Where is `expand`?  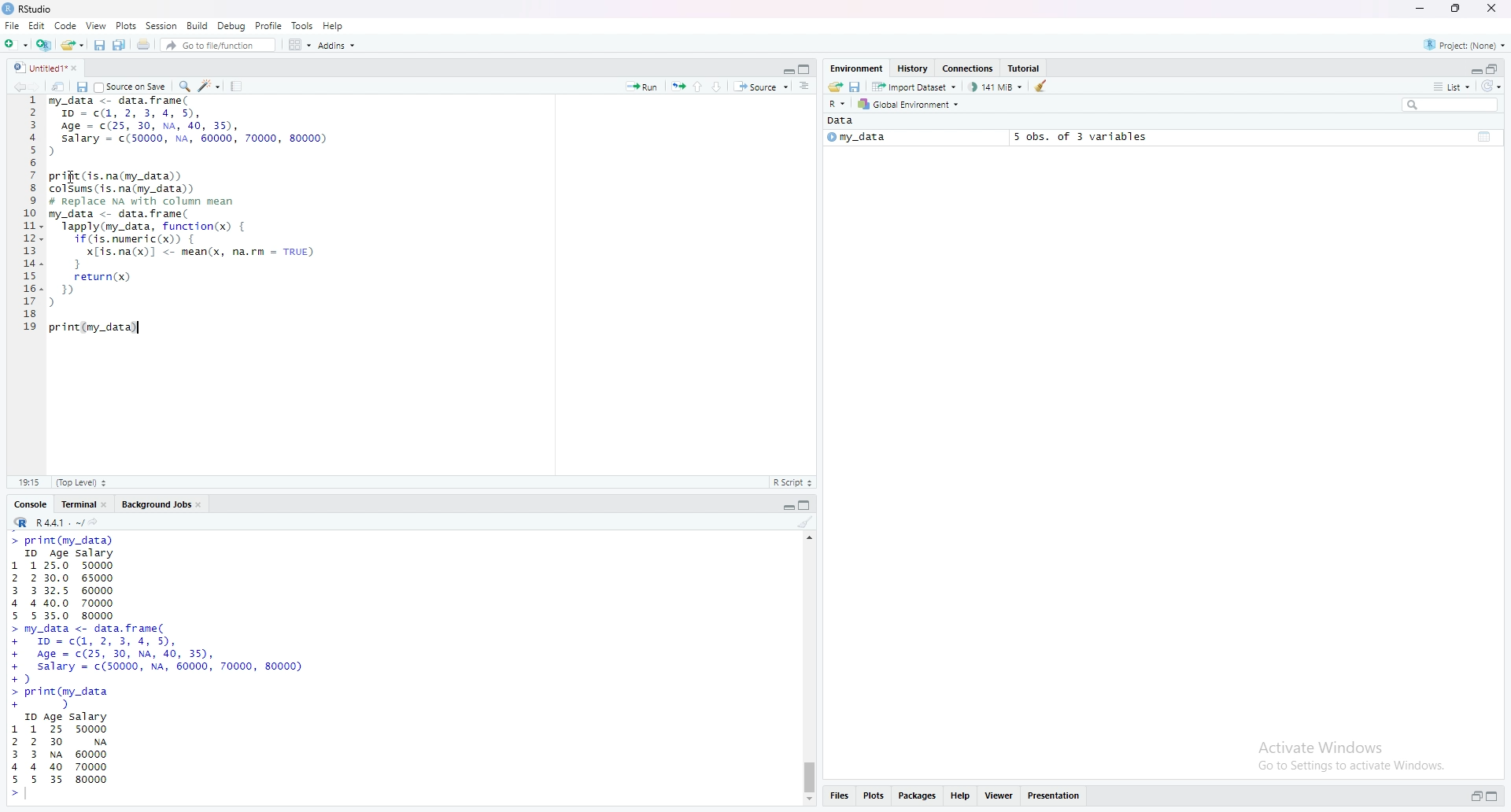
expand is located at coordinates (1475, 797).